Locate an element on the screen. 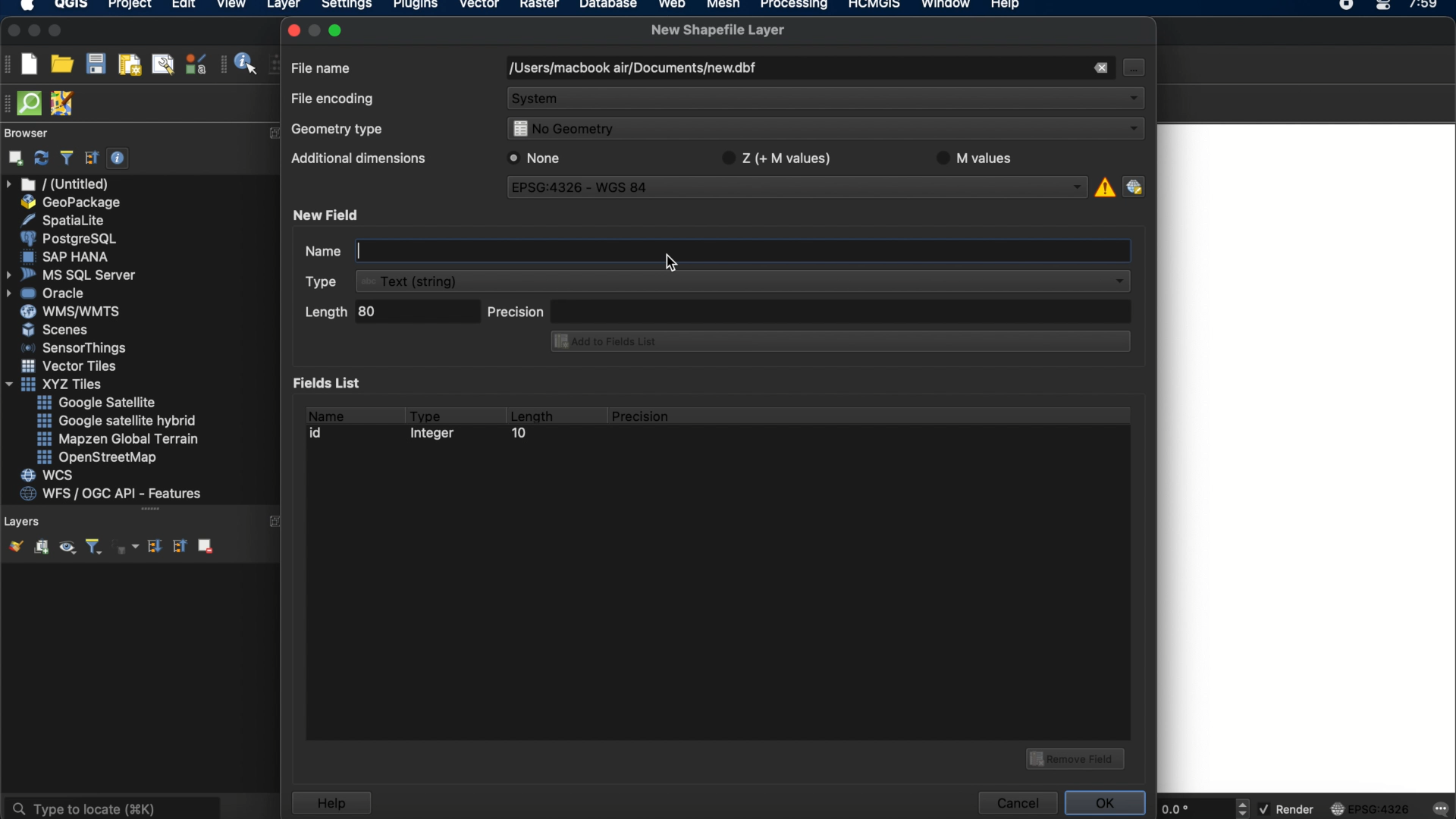 Image resolution: width=1456 pixels, height=819 pixels. new shaoefile layer is located at coordinates (718, 30).